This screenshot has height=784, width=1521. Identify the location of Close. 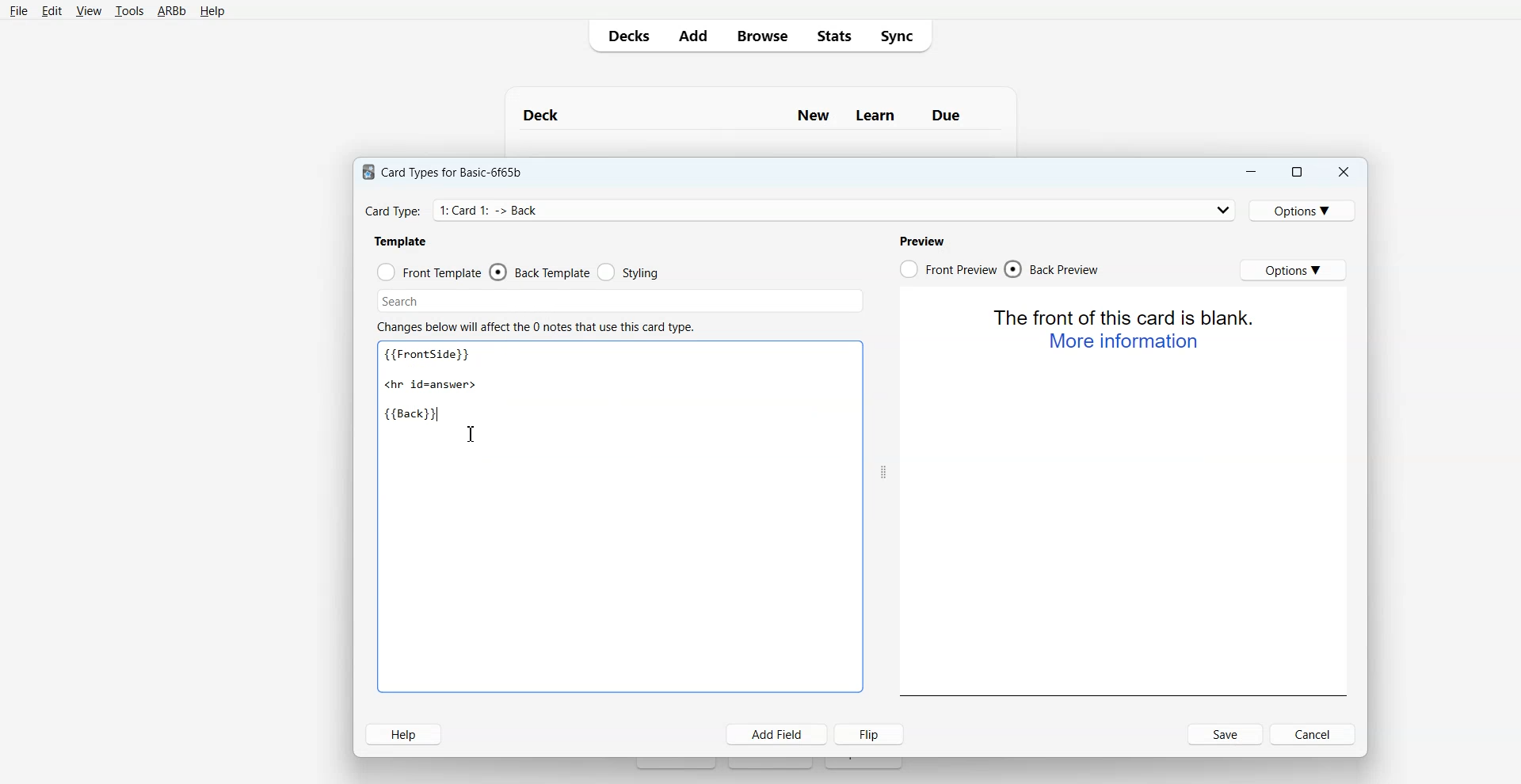
(1344, 171).